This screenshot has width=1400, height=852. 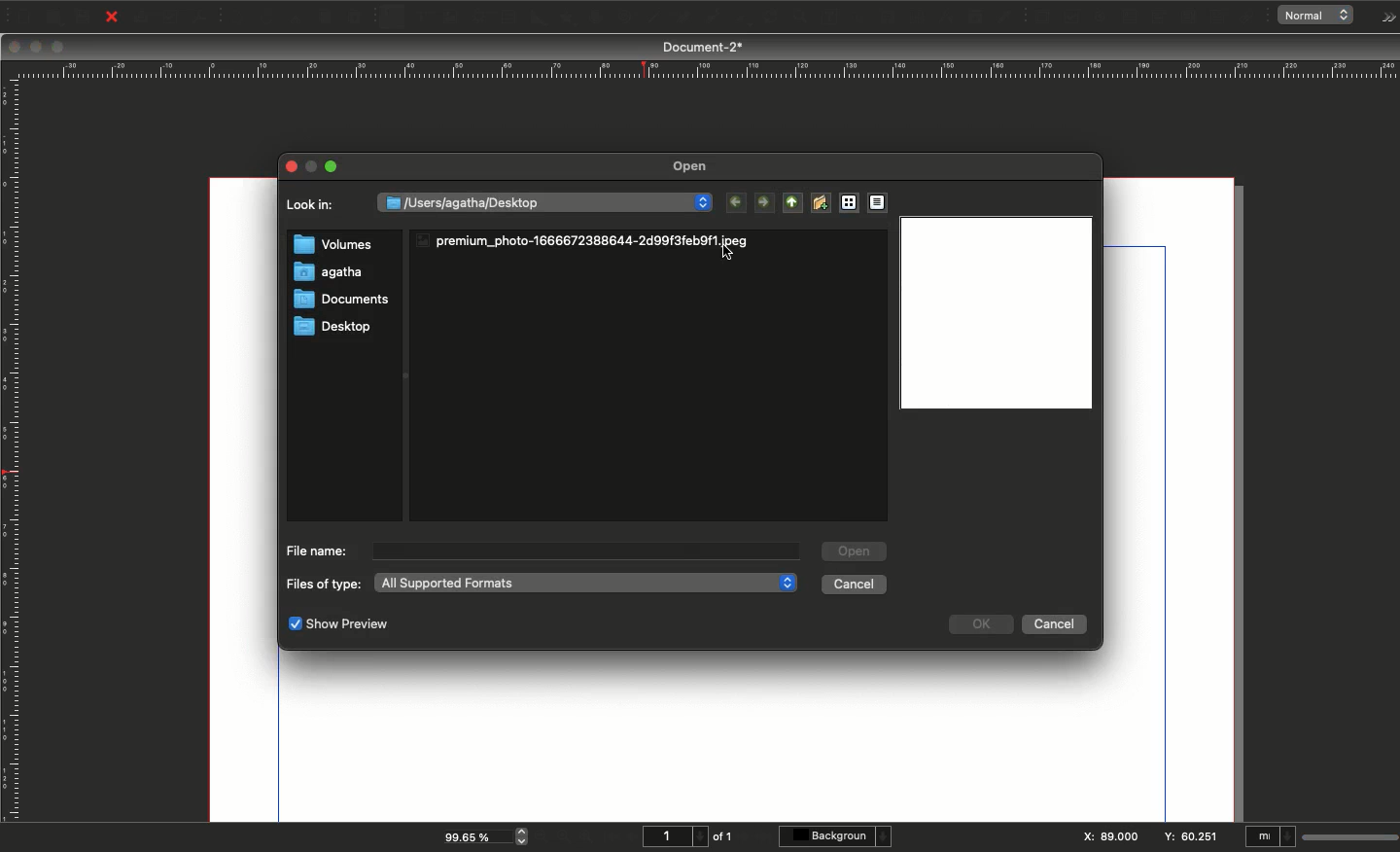 I want to click on Undo, so click(x=237, y=18).